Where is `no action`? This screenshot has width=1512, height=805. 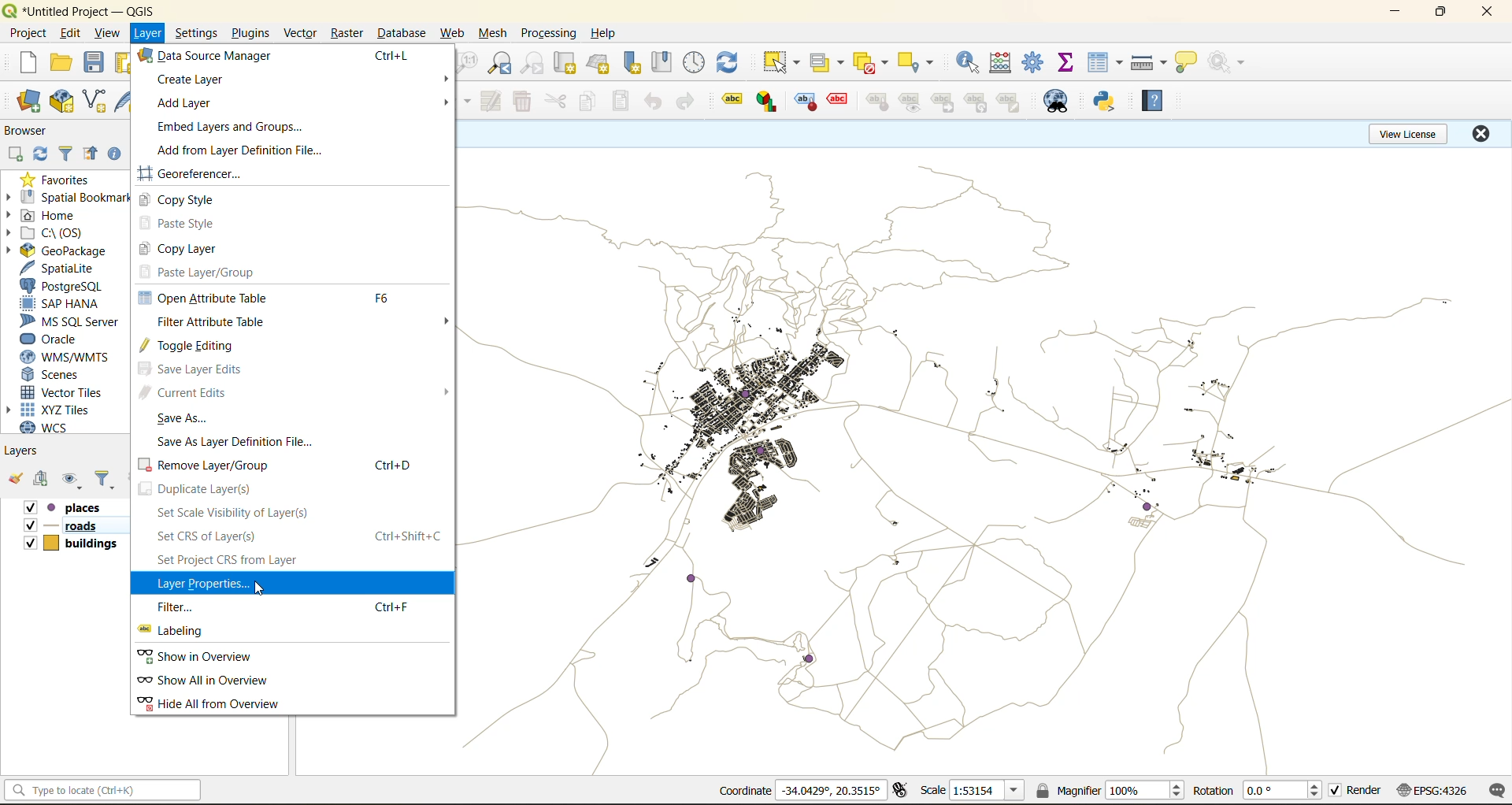
no action is located at coordinates (1227, 63).